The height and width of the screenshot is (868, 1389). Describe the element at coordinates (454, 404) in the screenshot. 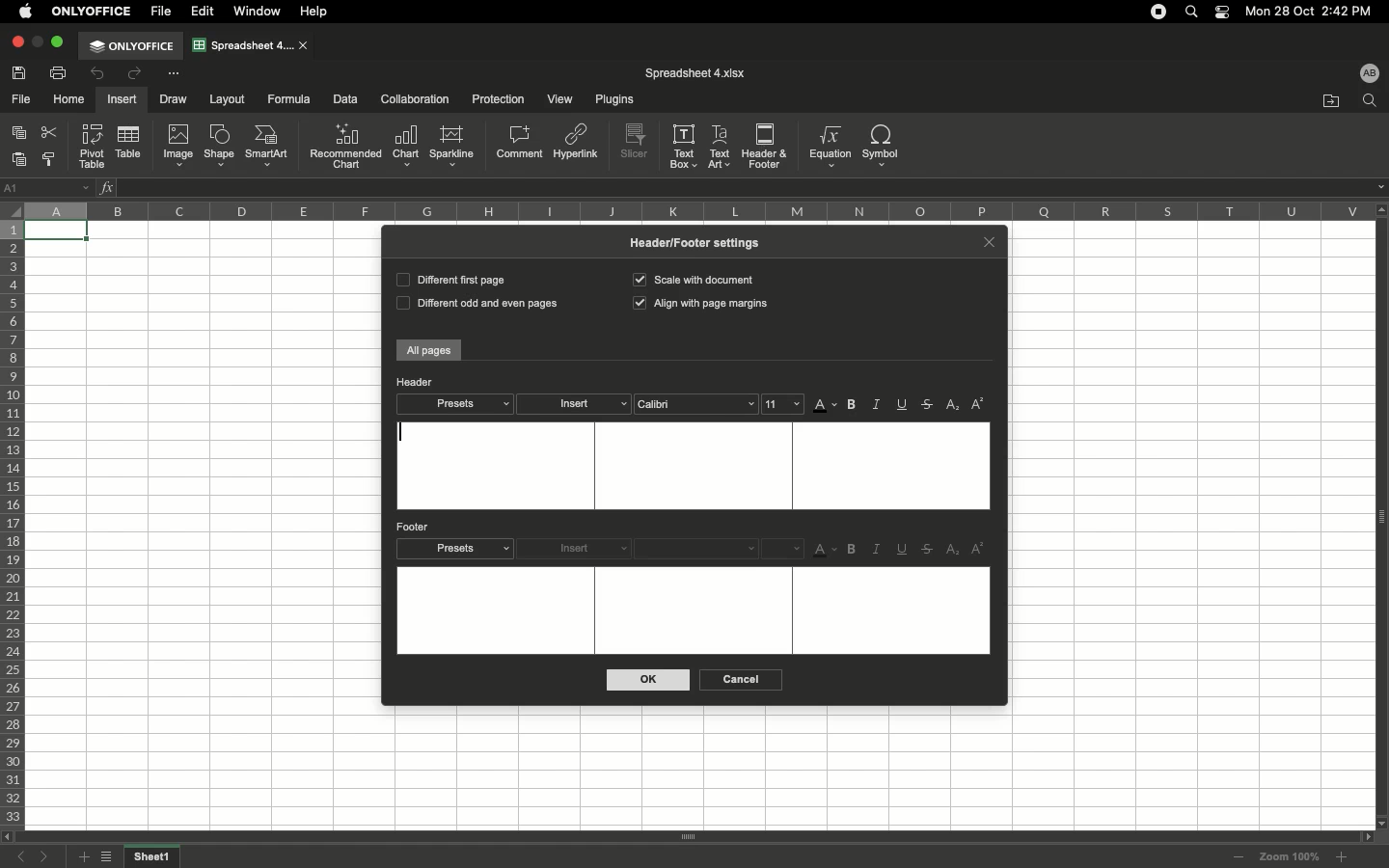

I see `Presets` at that location.